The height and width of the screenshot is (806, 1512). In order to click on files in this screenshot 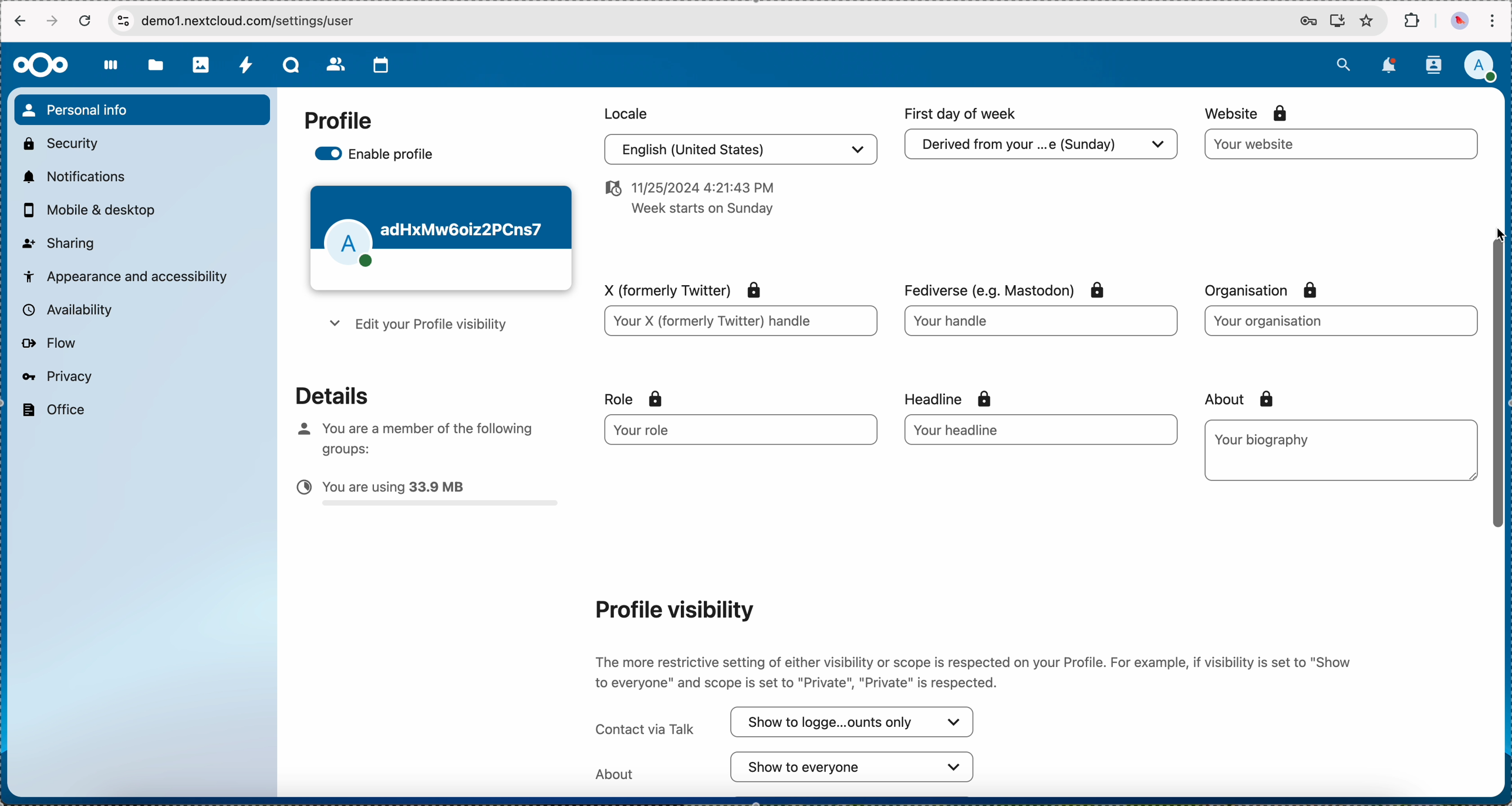, I will do `click(156, 67)`.